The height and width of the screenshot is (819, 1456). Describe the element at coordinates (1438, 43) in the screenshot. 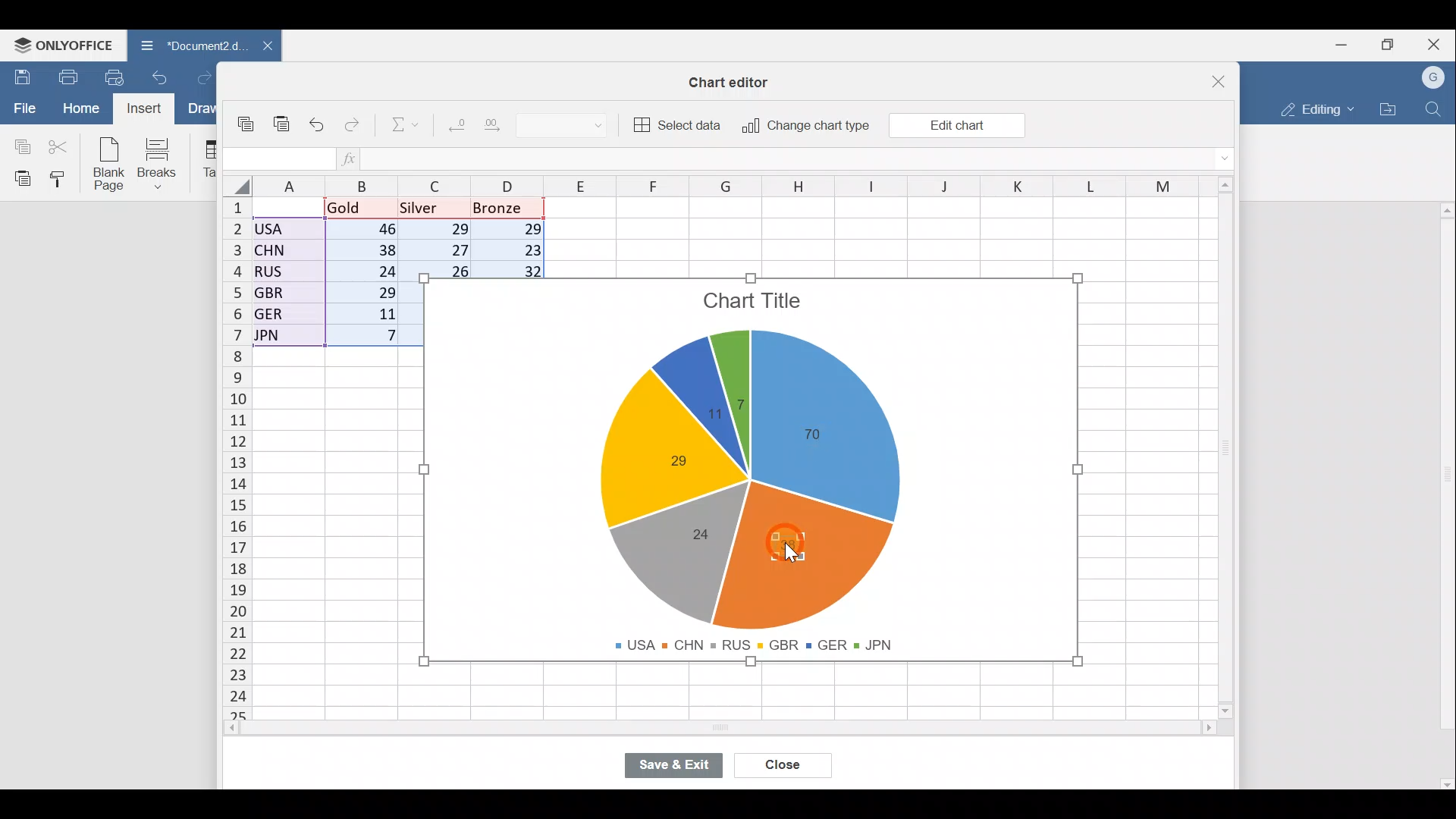

I see `Close` at that location.